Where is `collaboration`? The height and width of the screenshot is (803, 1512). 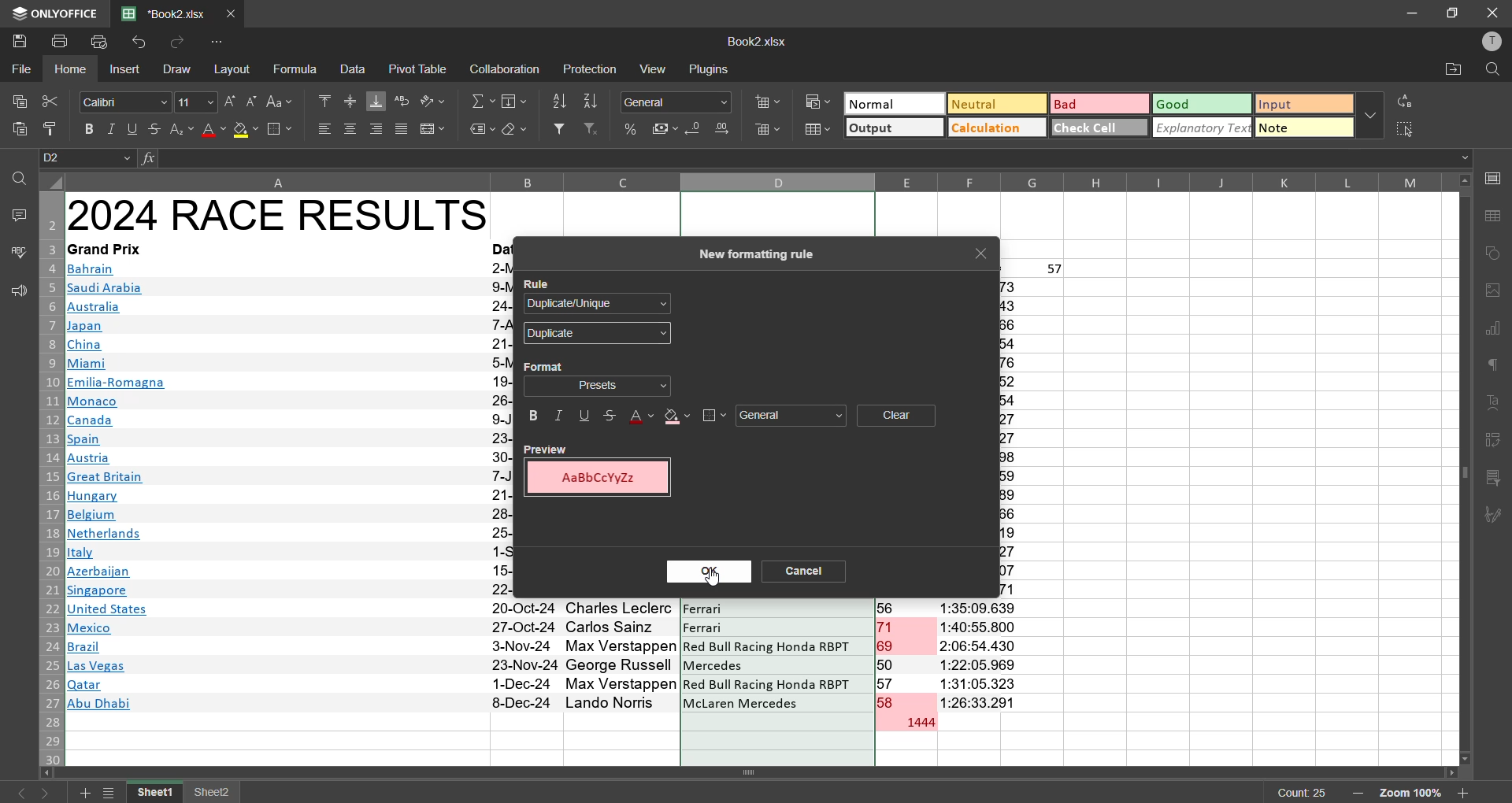 collaboration is located at coordinates (502, 70).